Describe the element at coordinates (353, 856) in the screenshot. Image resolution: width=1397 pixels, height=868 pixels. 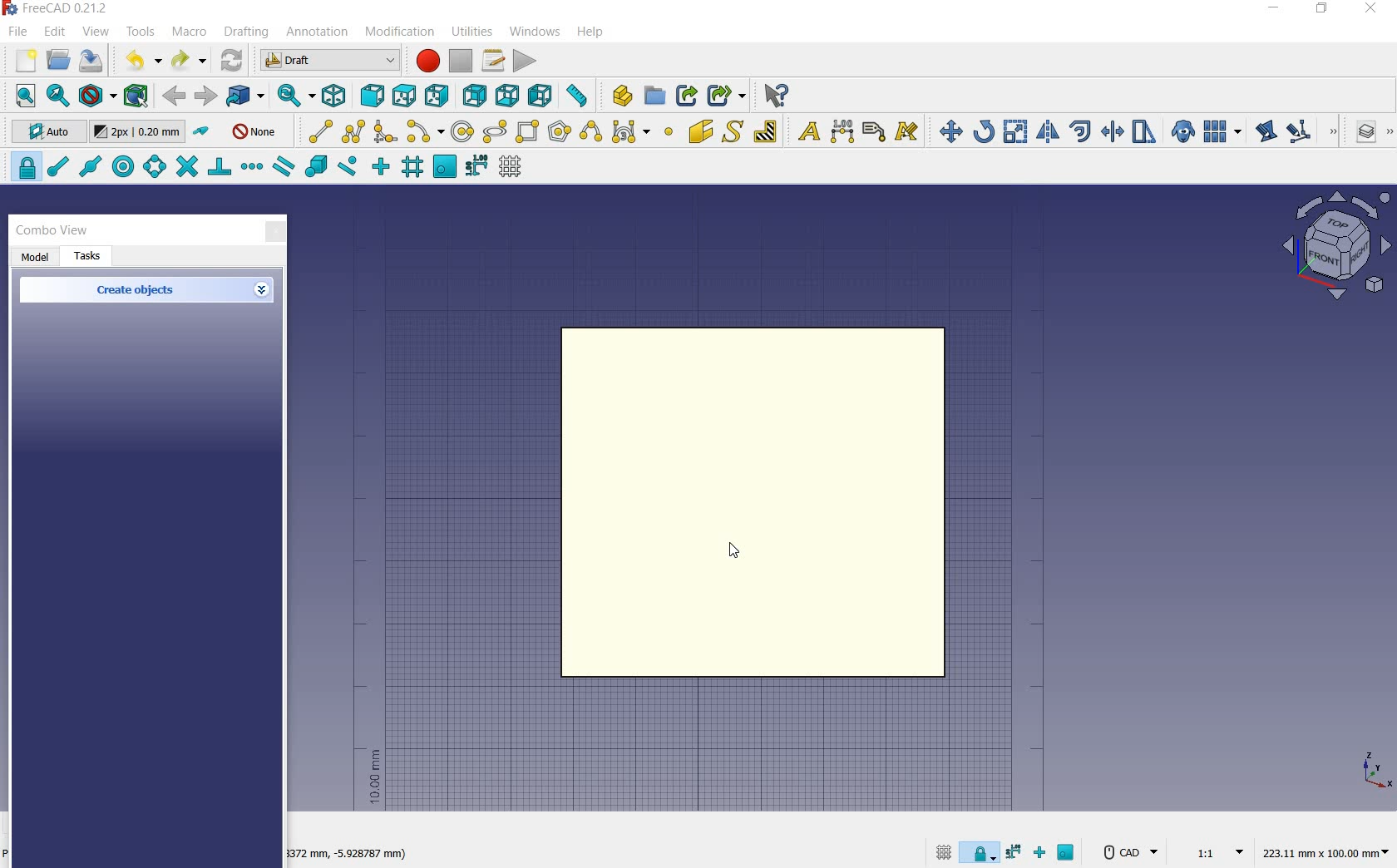
I see `dimension` at that location.